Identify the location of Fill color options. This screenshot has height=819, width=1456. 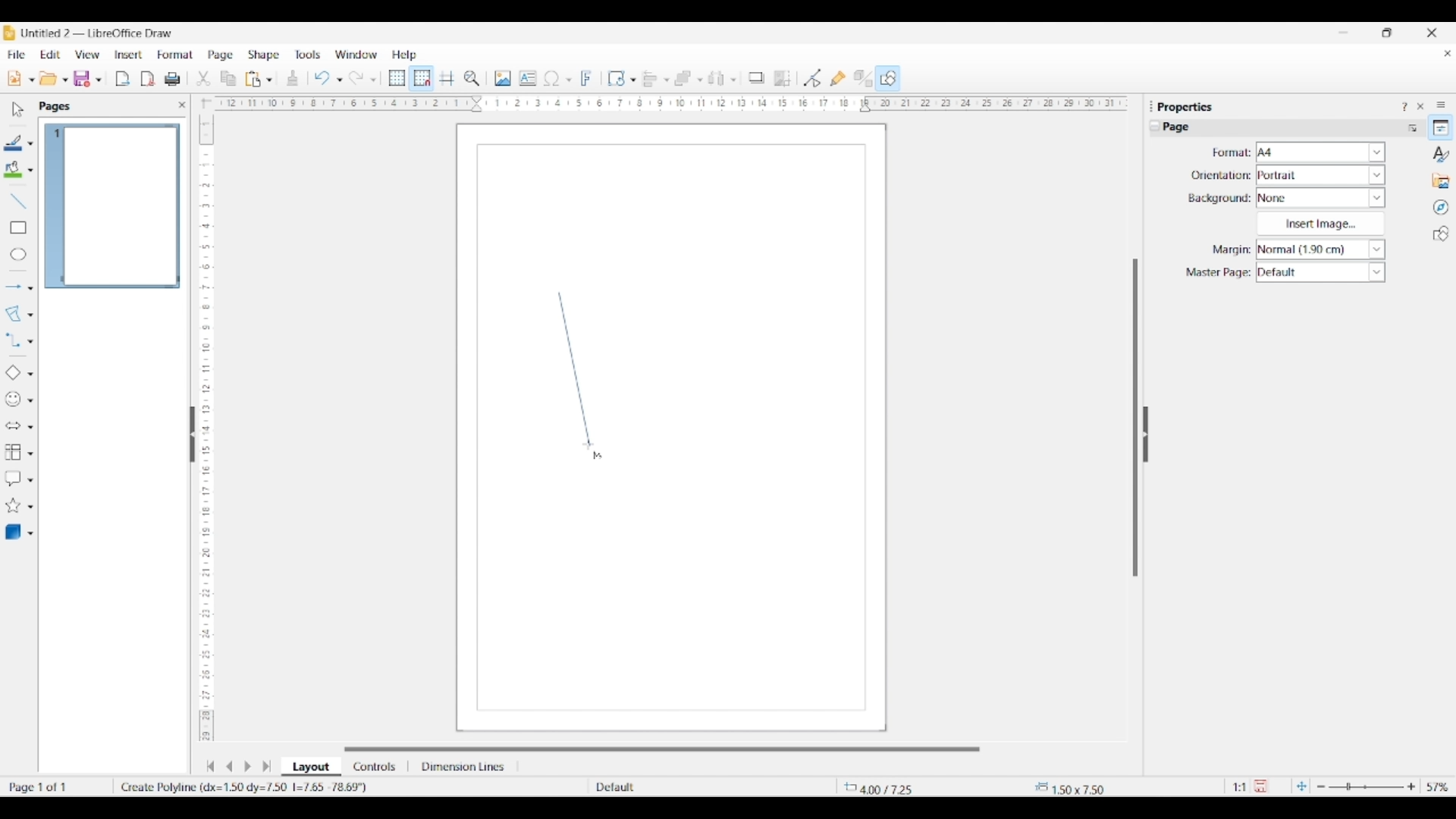
(30, 171).